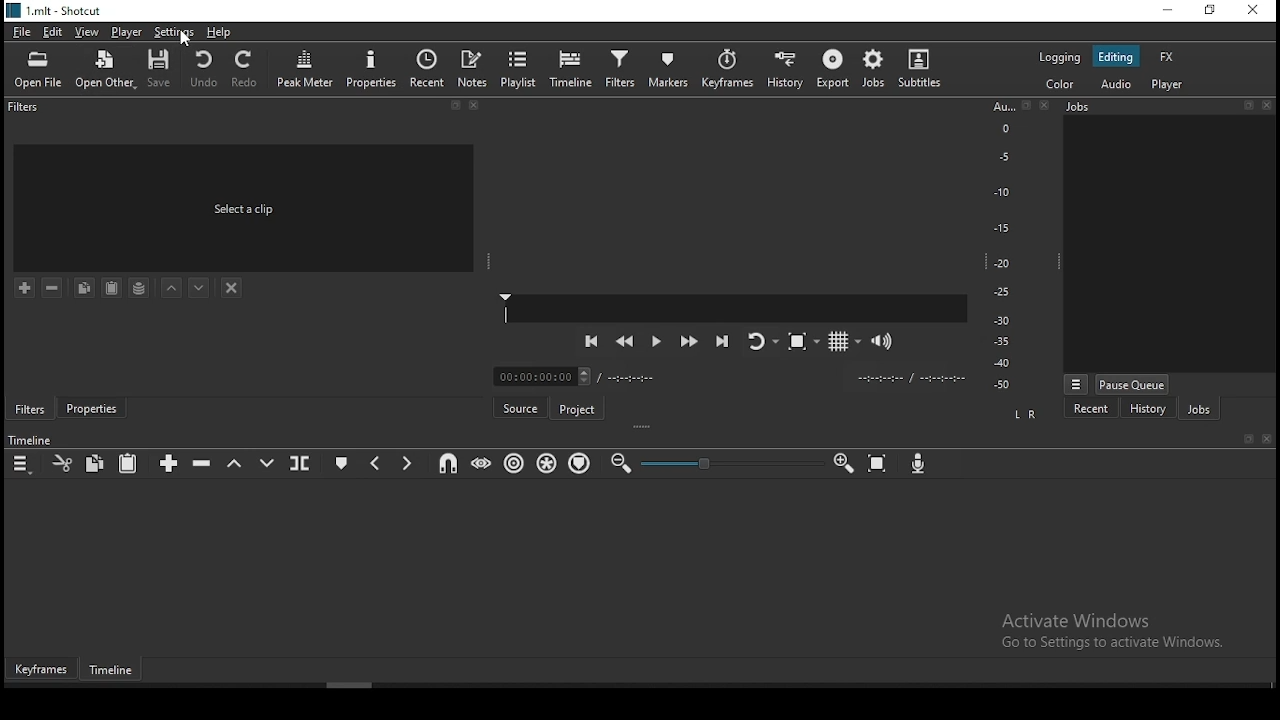 Image resolution: width=1280 pixels, height=720 pixels. What do you see at coordinates (727, 68) in the screenshot?
I see `keyframes` at bounding box center [727, 68].